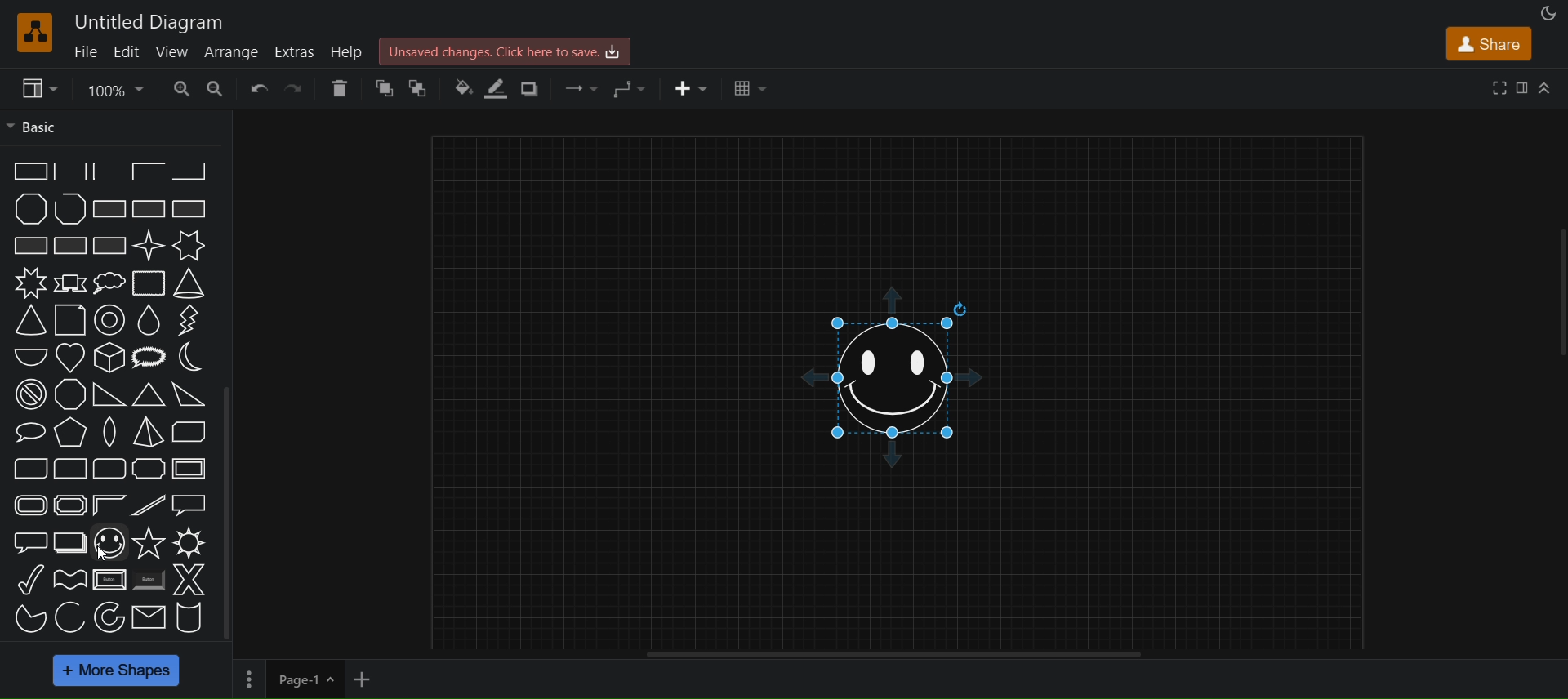 This screenshot has height=699, width=1568. Describe the element at coordinates (24, 620) in the screenshot. I see `pie` at that location.